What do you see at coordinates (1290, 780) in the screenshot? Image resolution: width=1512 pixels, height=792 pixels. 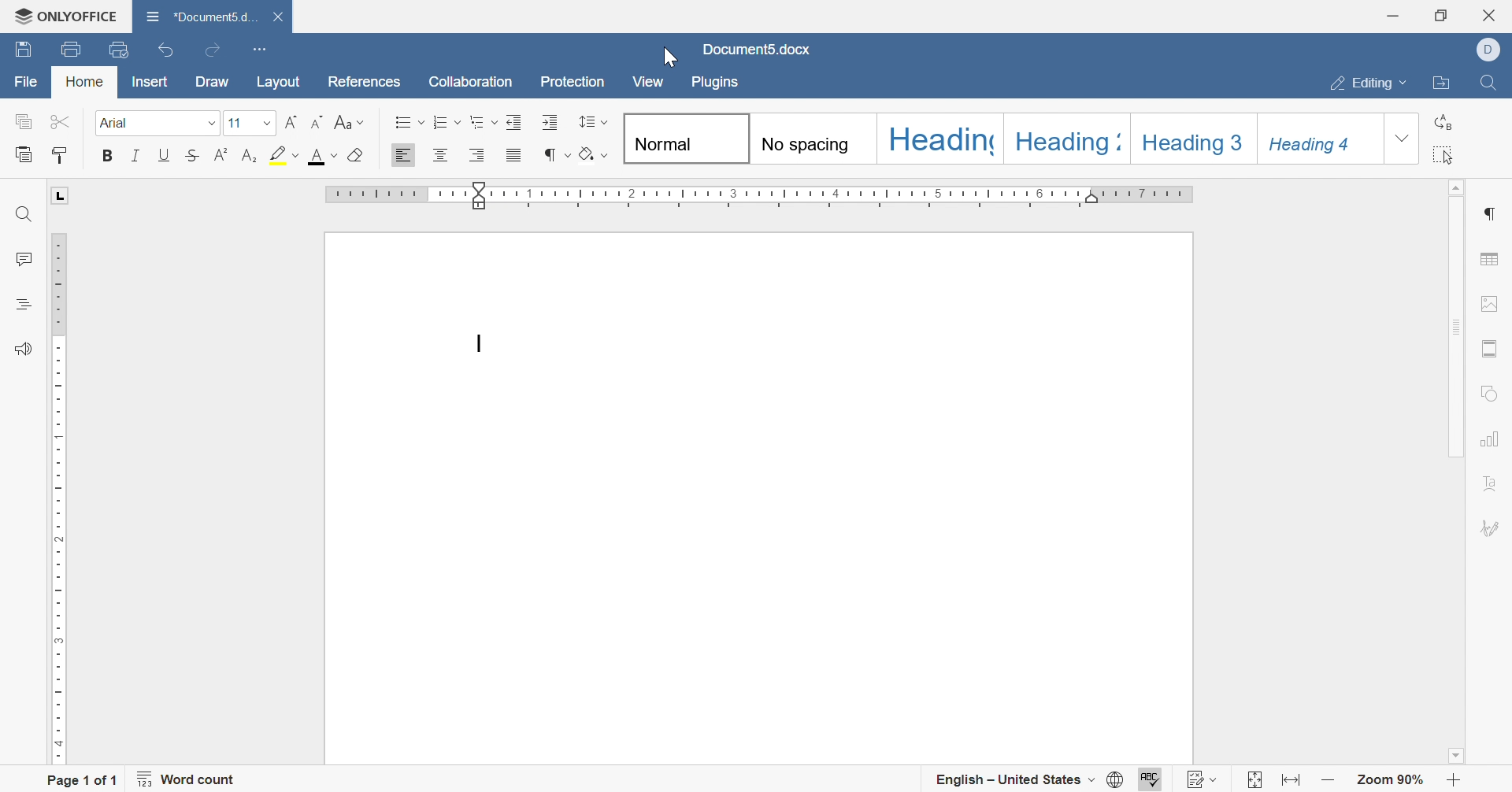 I see `fit to width` at bounding box center [1290, 780].